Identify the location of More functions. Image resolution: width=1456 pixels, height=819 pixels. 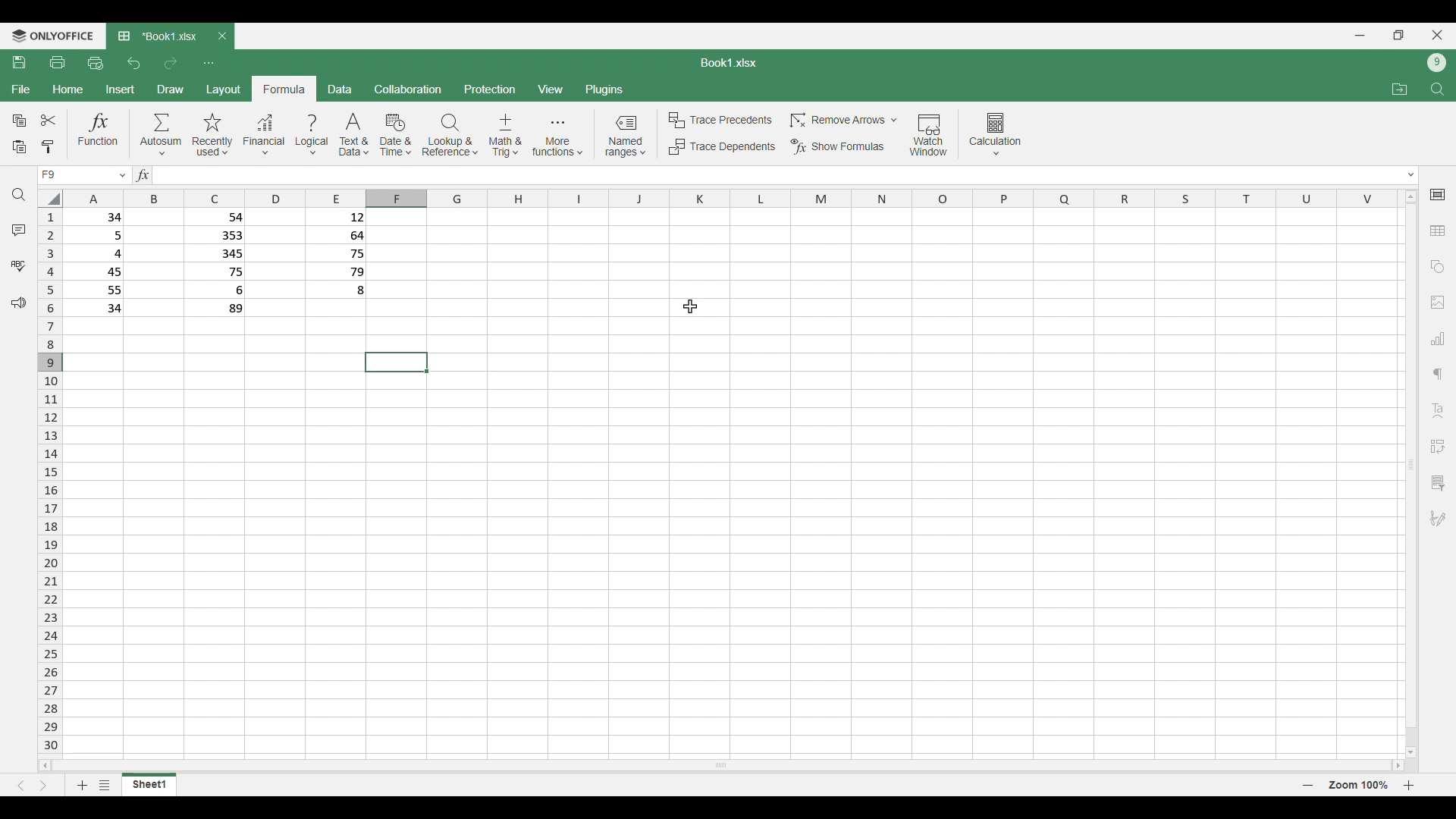
(557, 136).